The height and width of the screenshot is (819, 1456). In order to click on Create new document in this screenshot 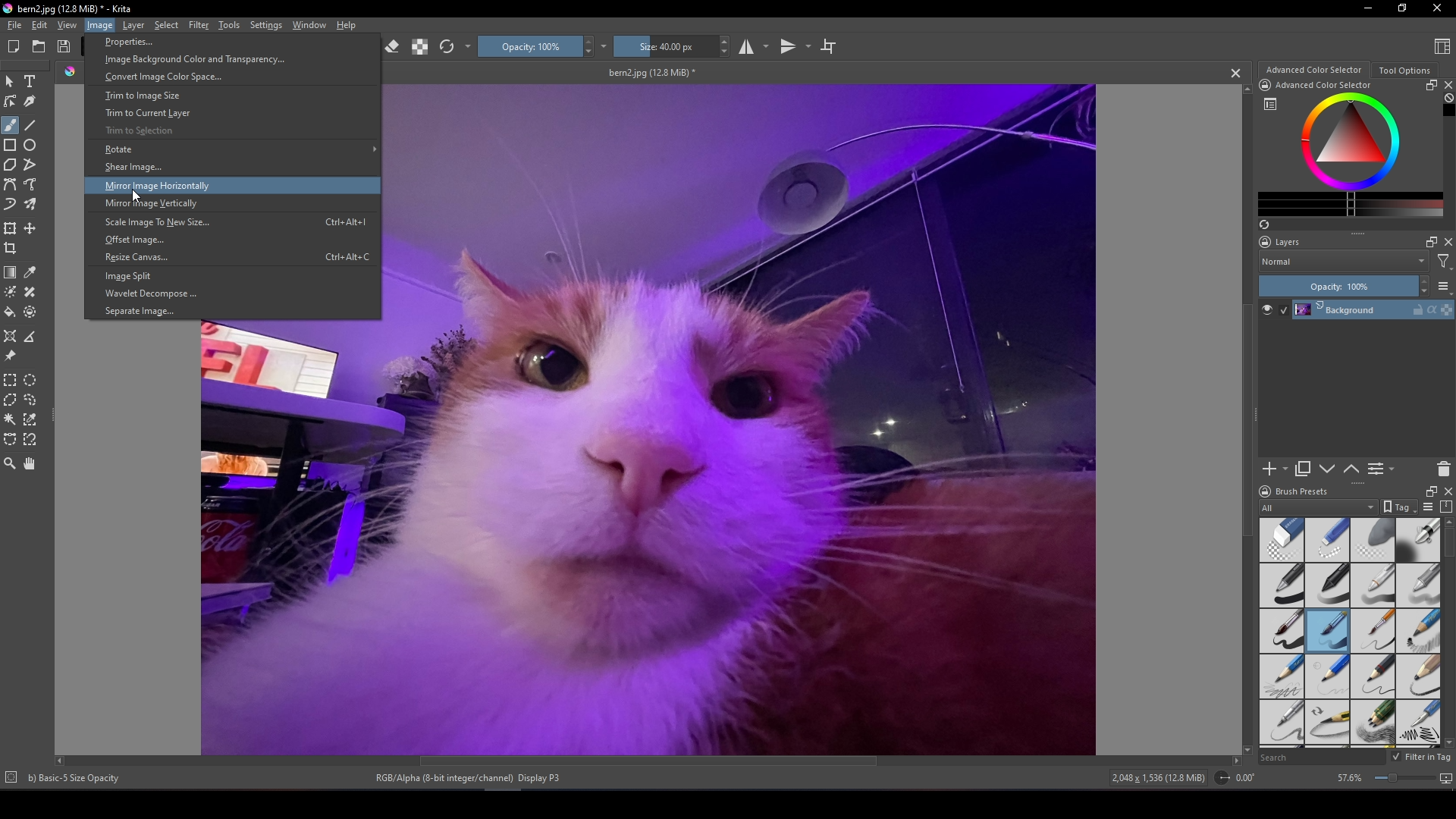, I will do `click(14, 47)`.